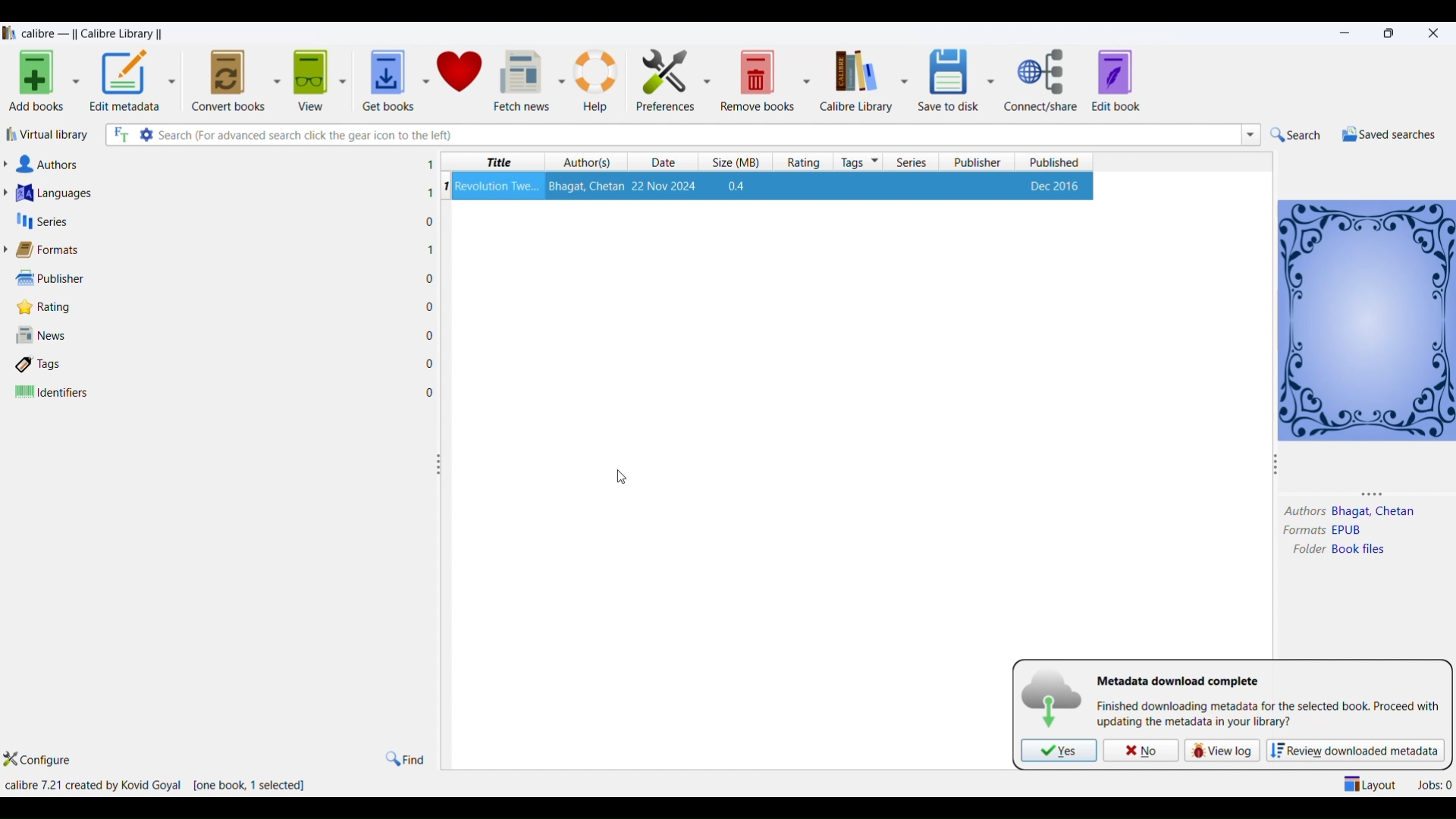 This screenshot has height=819, width=1456. I want to click on 0, so click(430, 306).